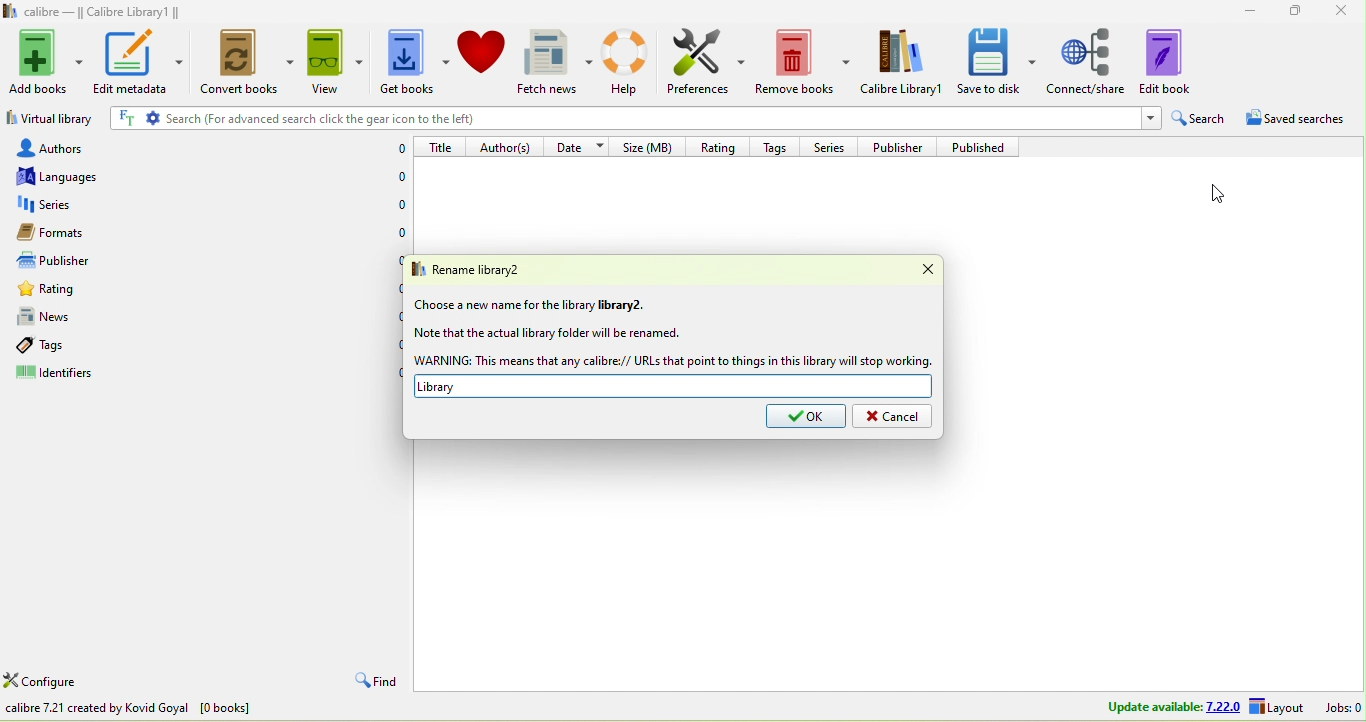 The width and height of the screenshot is (1366, 722). I want to click on search (for advanced search click the gear icon to the left, so click(631, 120).